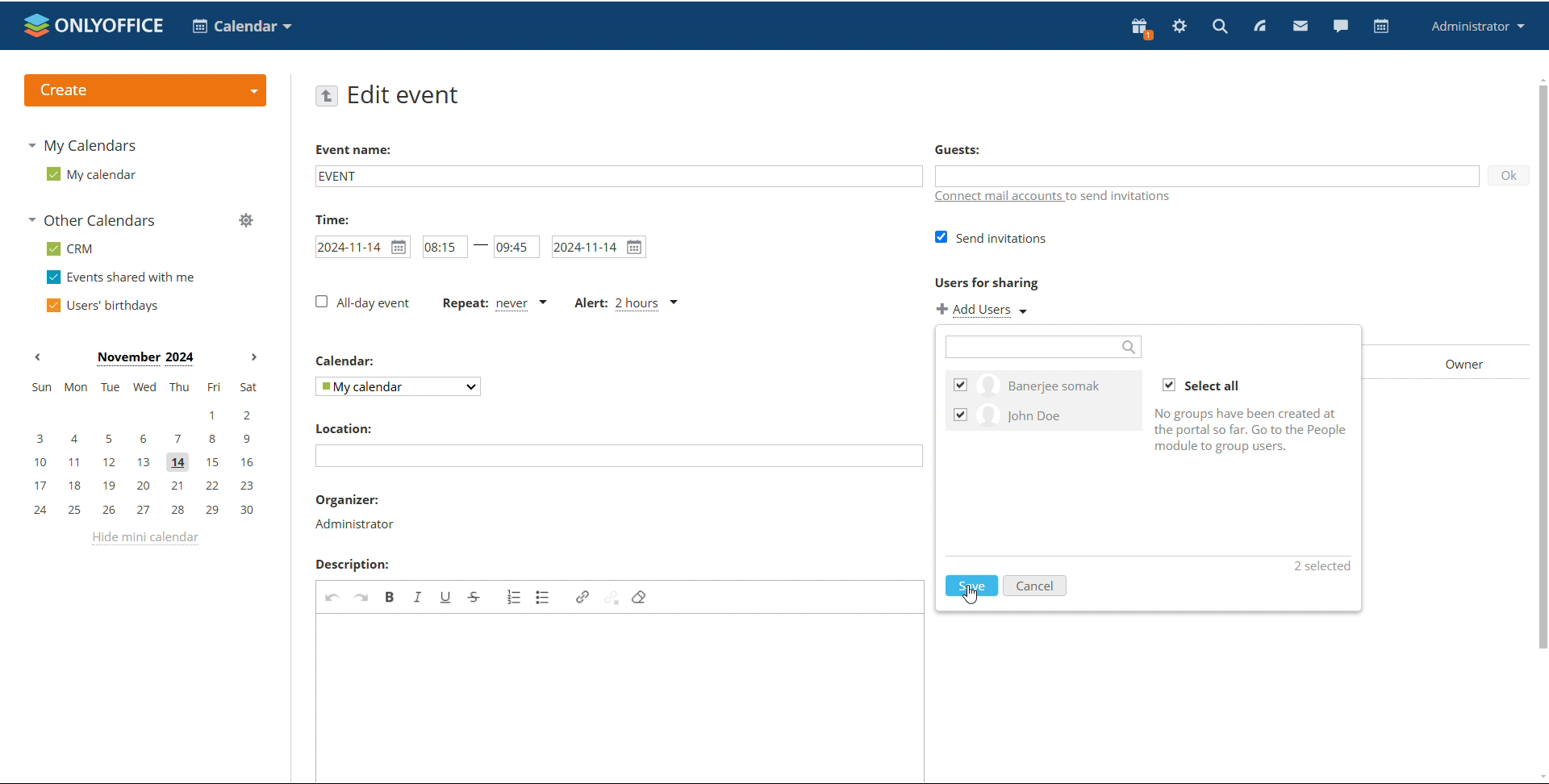  Describe the element at coordinates (1045, 347) in the screenshot. I see `search users` at that location.